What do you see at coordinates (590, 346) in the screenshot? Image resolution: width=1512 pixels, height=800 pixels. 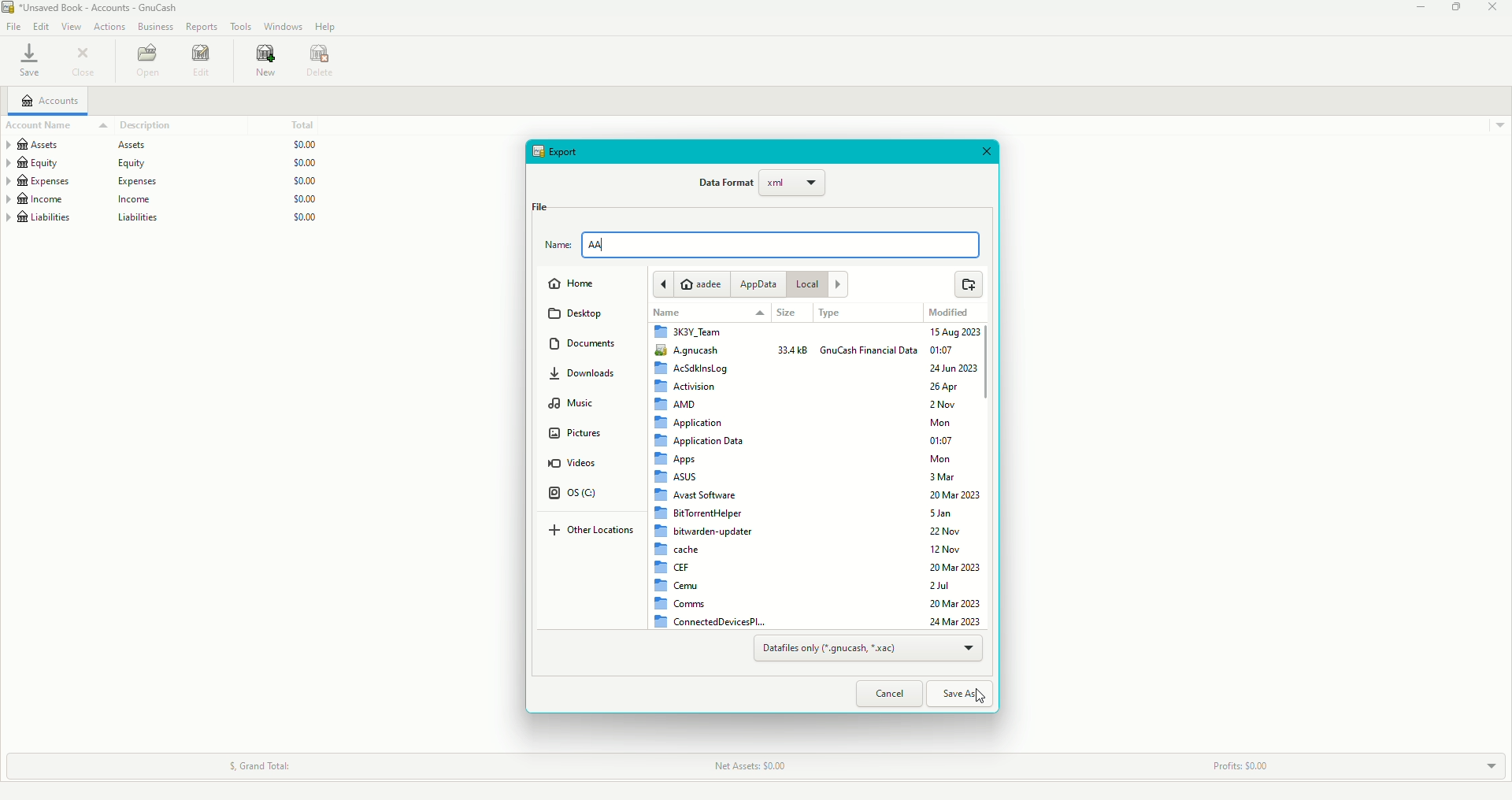 I see `Documents` at bounding box center [590, 346].